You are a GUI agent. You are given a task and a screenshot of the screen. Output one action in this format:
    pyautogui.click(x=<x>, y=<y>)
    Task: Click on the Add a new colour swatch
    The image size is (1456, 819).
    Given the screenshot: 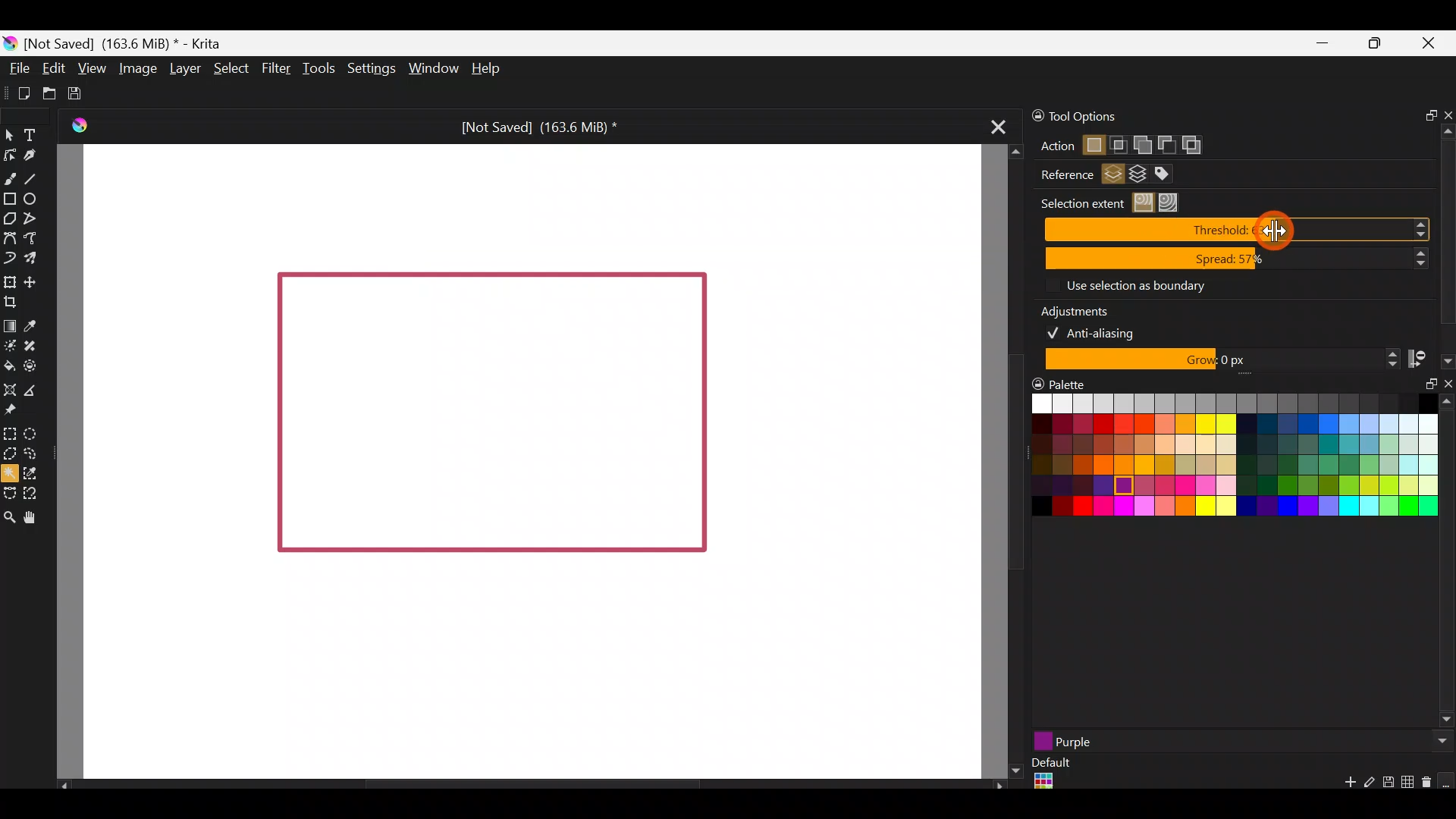 What is the action you would take?
    pyautogui.click(x=1342, y=786)
    